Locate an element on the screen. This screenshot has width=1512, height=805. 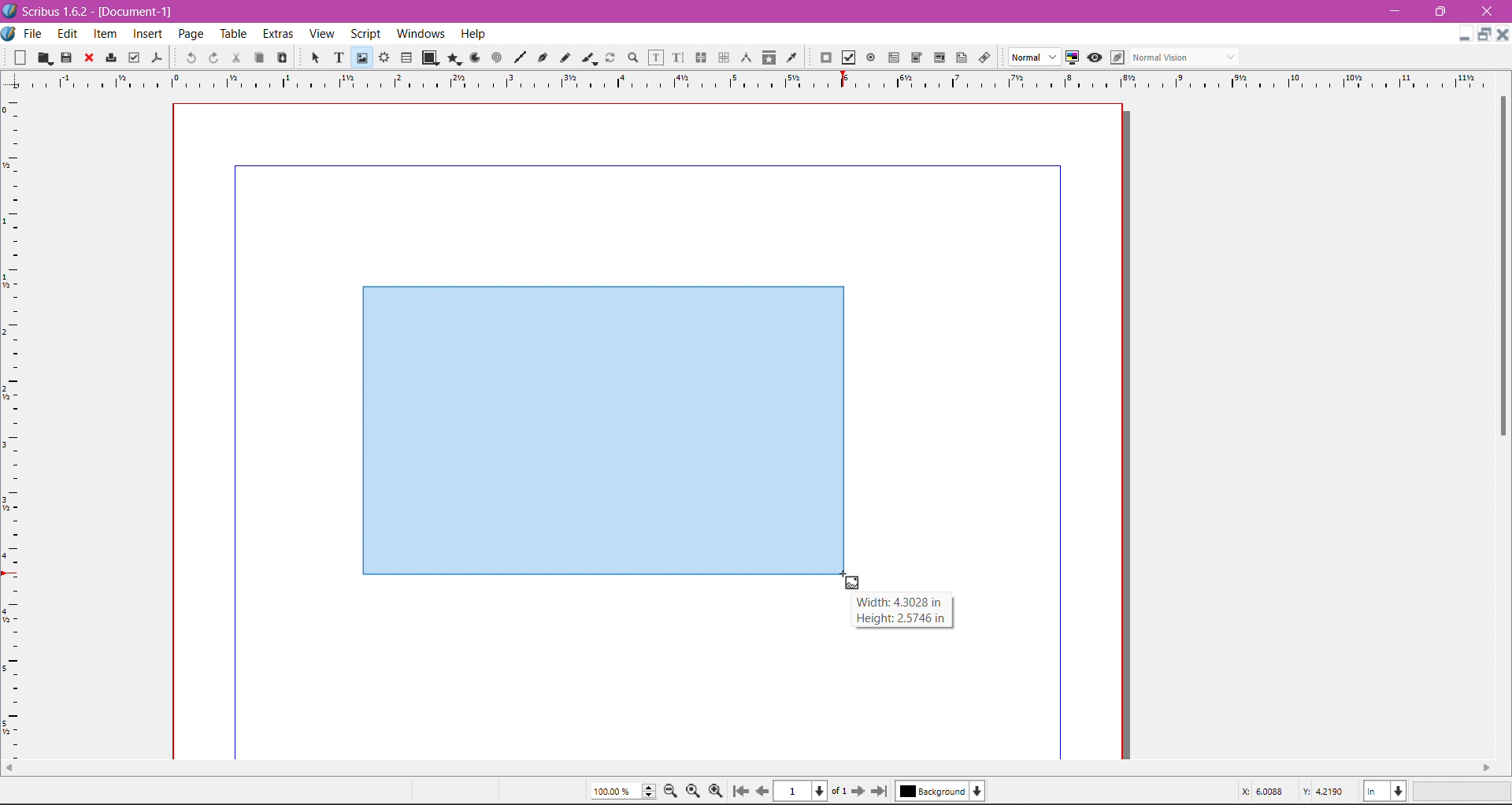
Close Document is located at coordinates (1503, 35).